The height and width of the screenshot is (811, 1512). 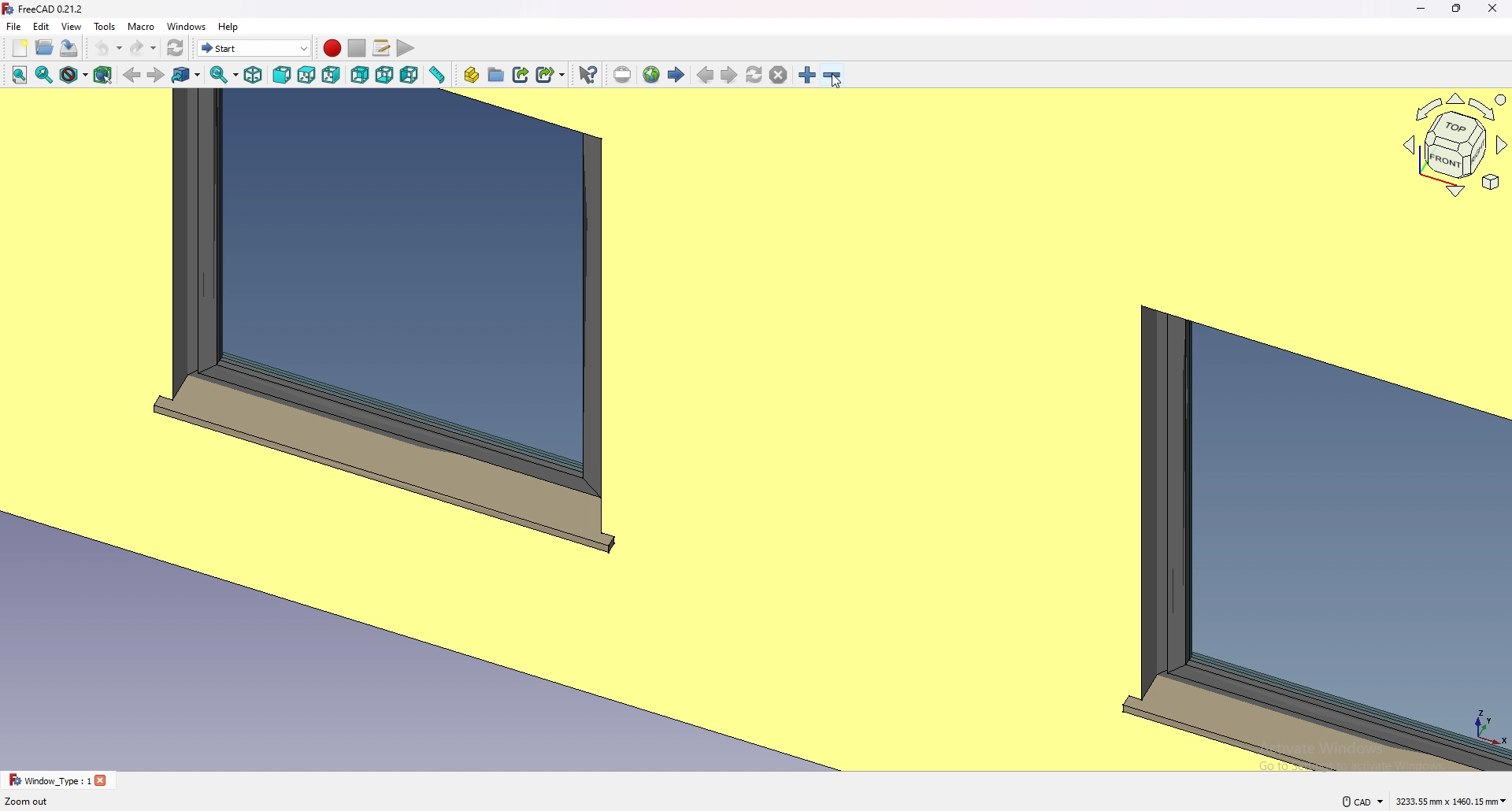 What do you see at coordinates (143, 26) in the screenshot?
I see `macro` at bounding box center [143, 26].